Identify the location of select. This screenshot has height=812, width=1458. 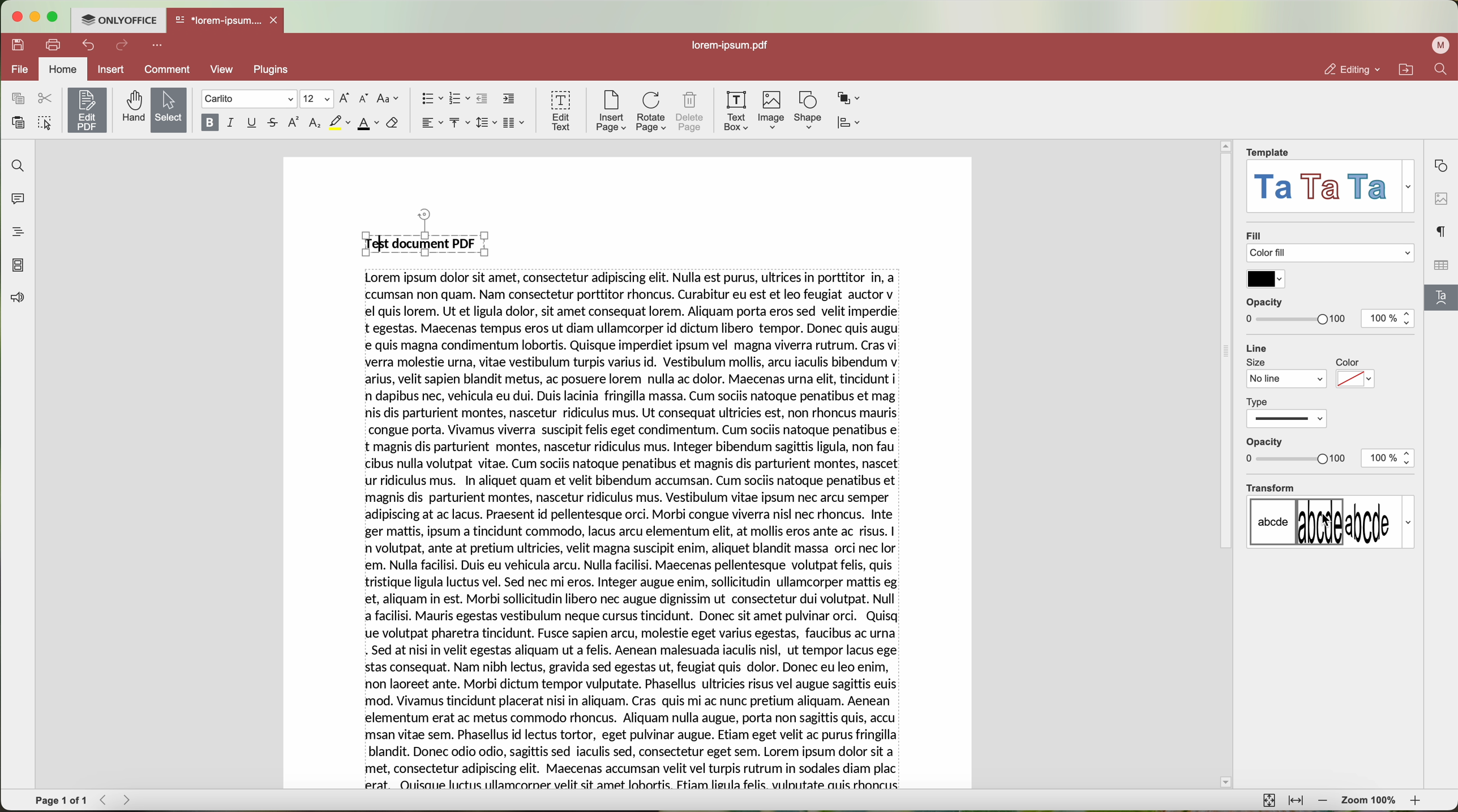
(168, 110).